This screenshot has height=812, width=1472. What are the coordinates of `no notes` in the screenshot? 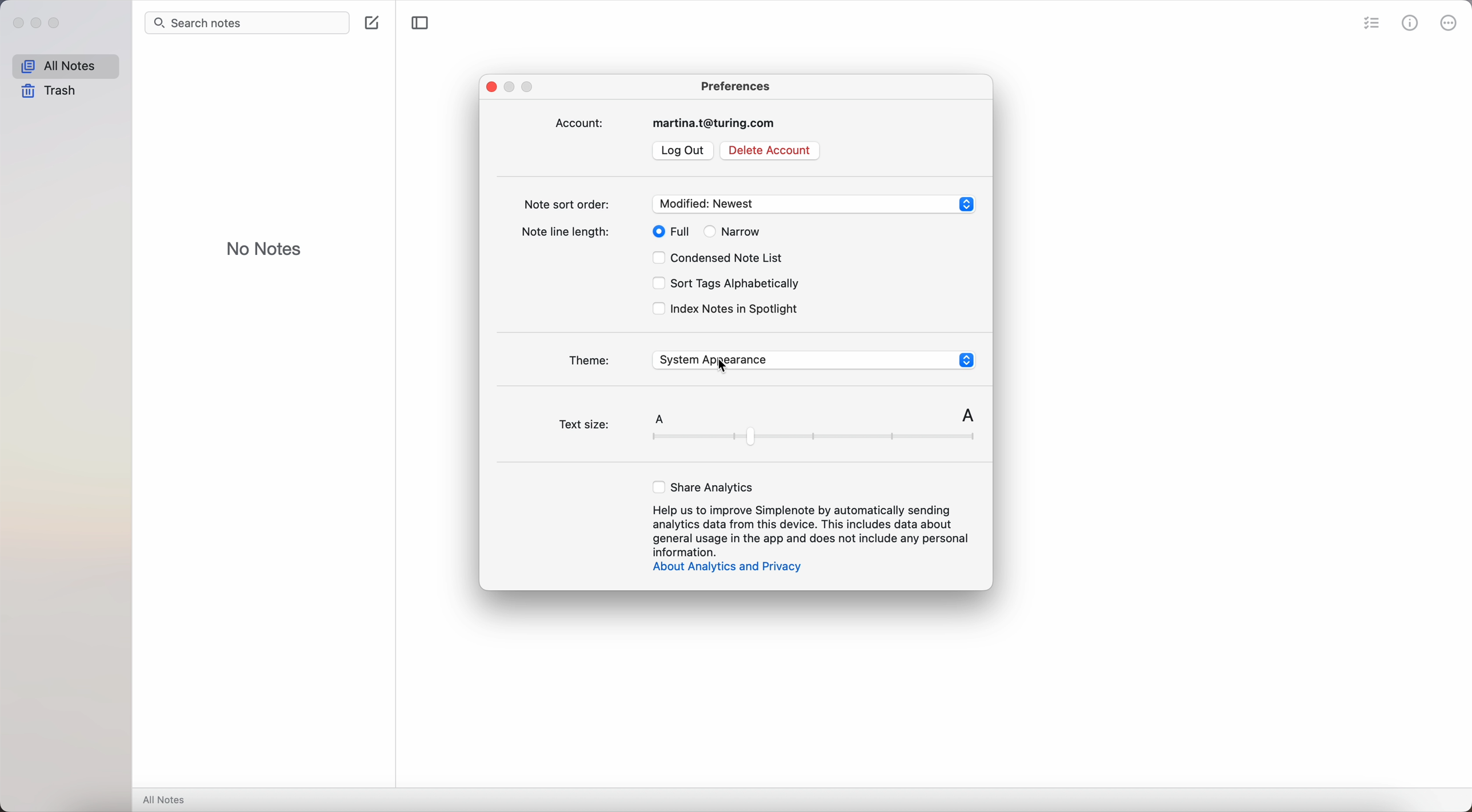 It's located at (265, 247).